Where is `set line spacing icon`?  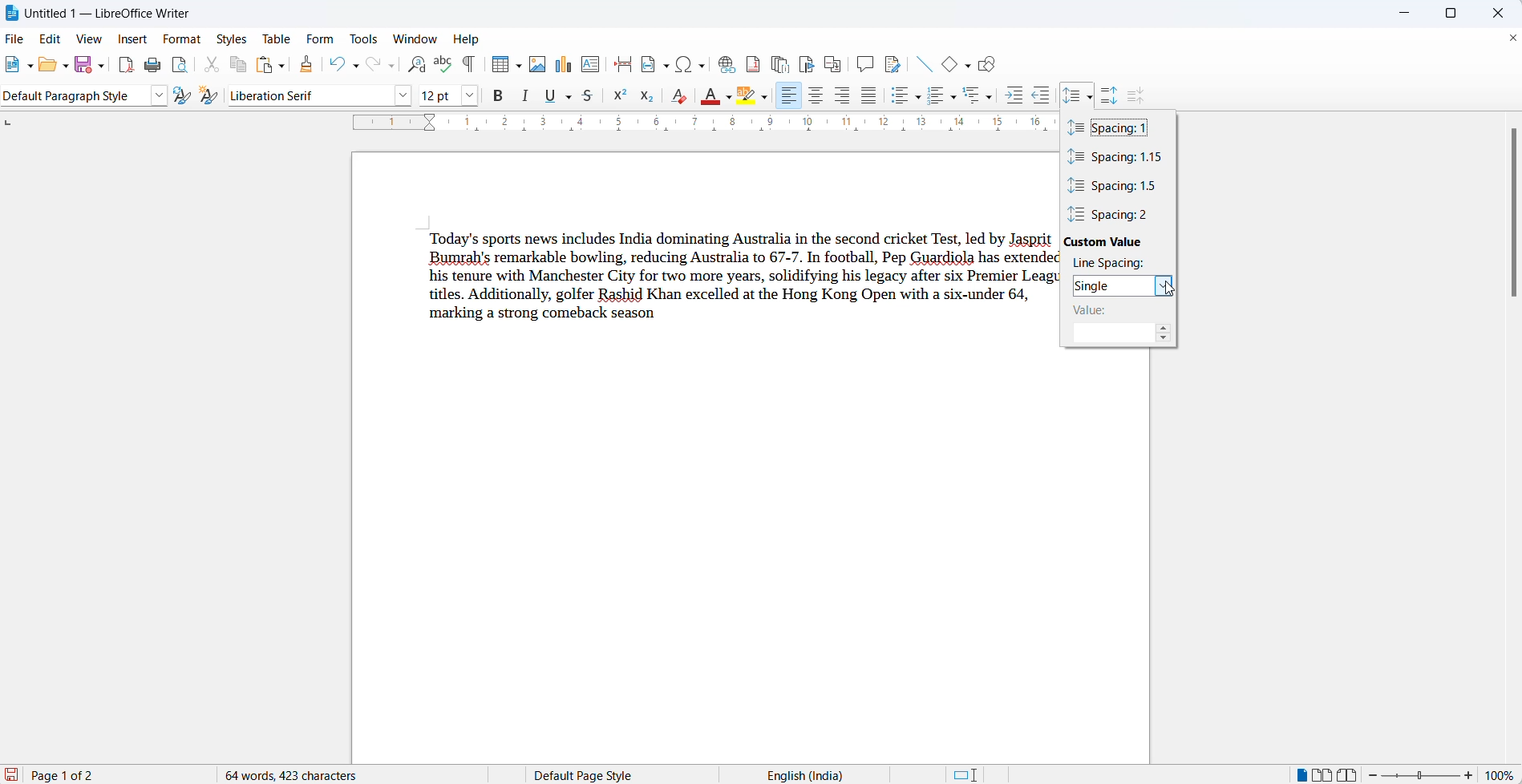 set line spacing icon is located at coordinates (1071, 94).